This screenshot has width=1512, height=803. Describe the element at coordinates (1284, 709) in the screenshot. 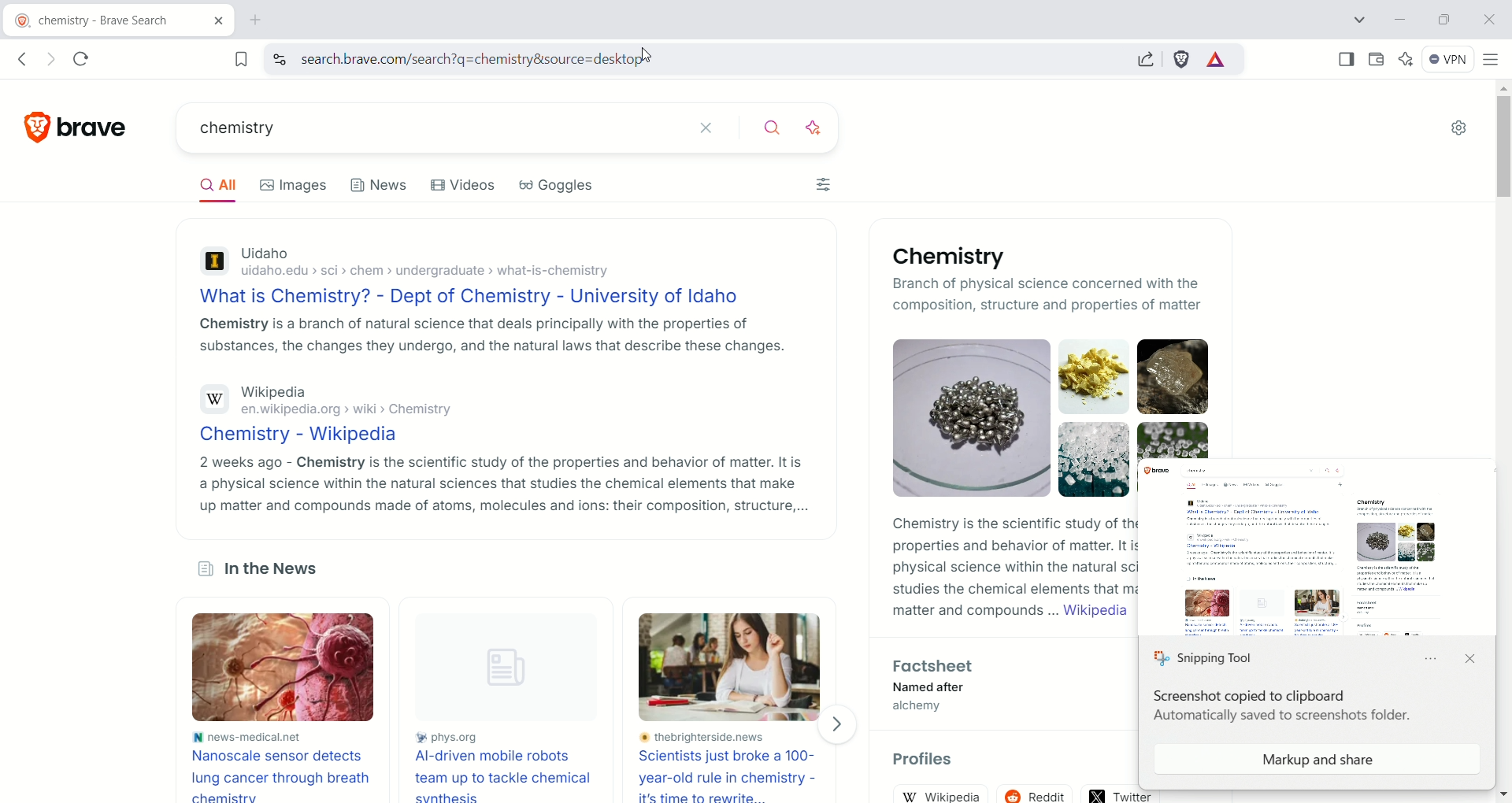

I see `screenshot copied to clipboard automatically saved to screenshots folder` at that location.